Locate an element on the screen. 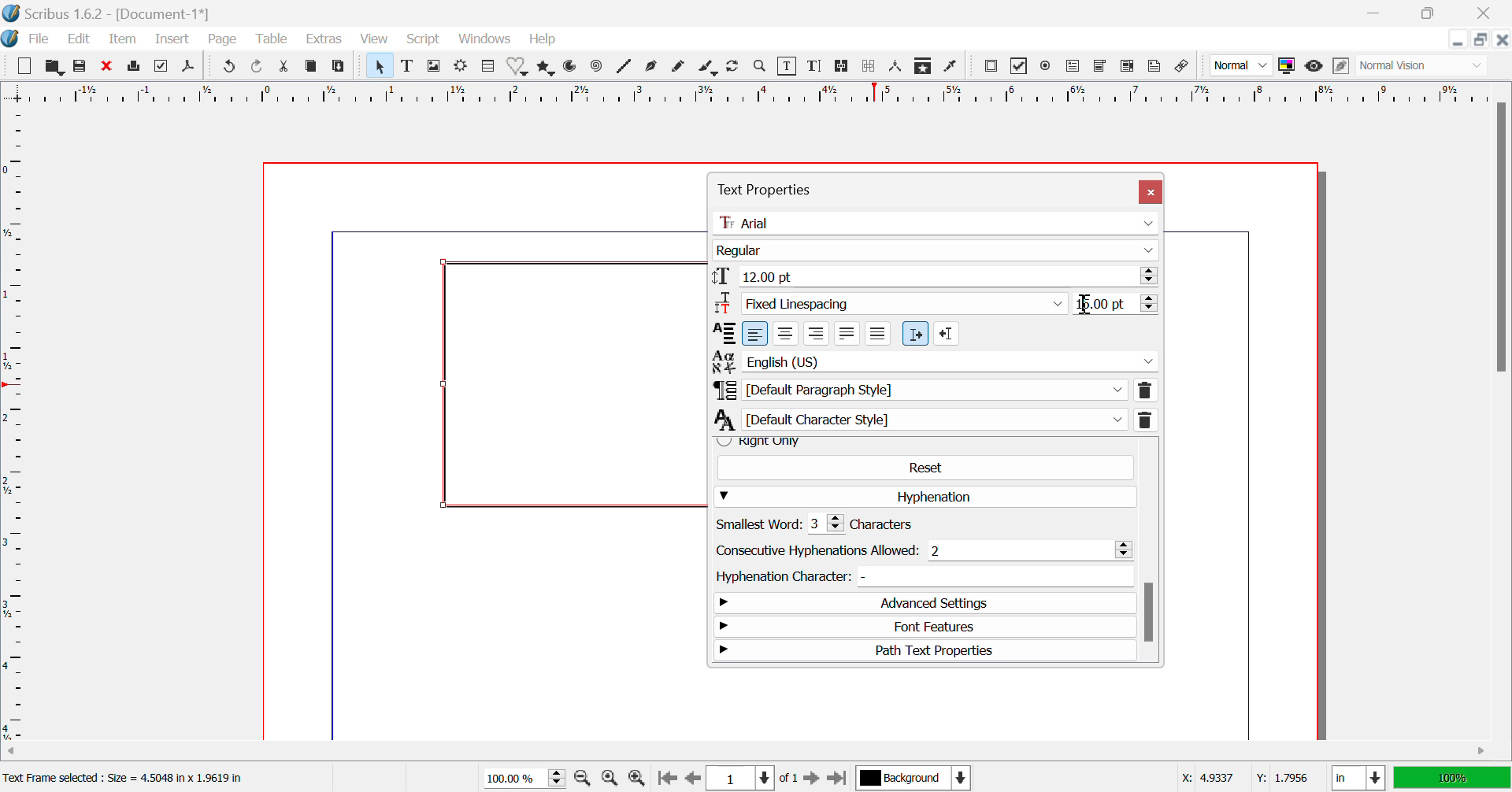  Preflight Verifier is located at coordinates (161, 68).